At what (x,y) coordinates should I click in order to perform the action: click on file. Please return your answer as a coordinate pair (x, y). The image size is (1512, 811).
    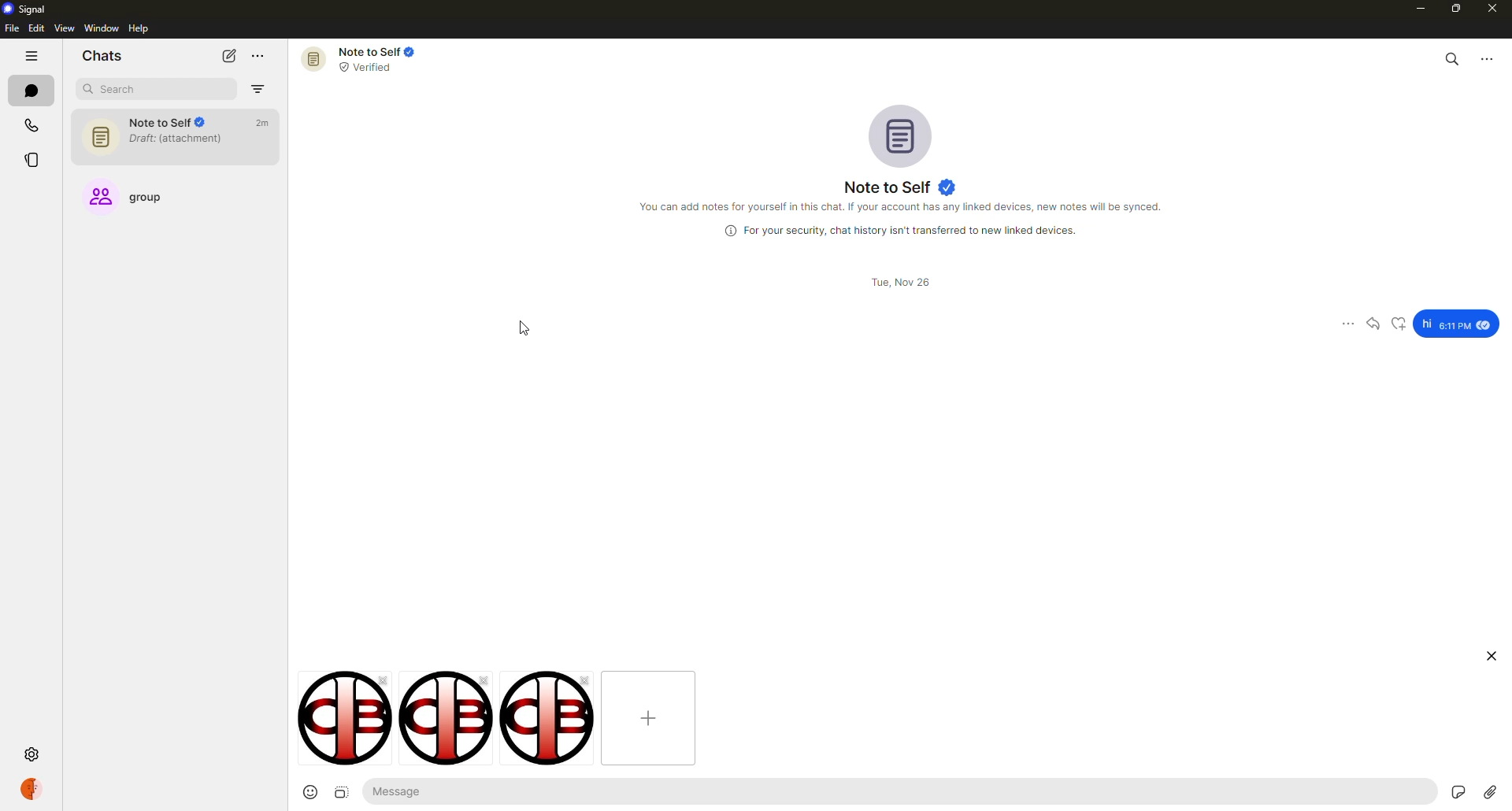
    Looking at the image, I should click on (10, 30).